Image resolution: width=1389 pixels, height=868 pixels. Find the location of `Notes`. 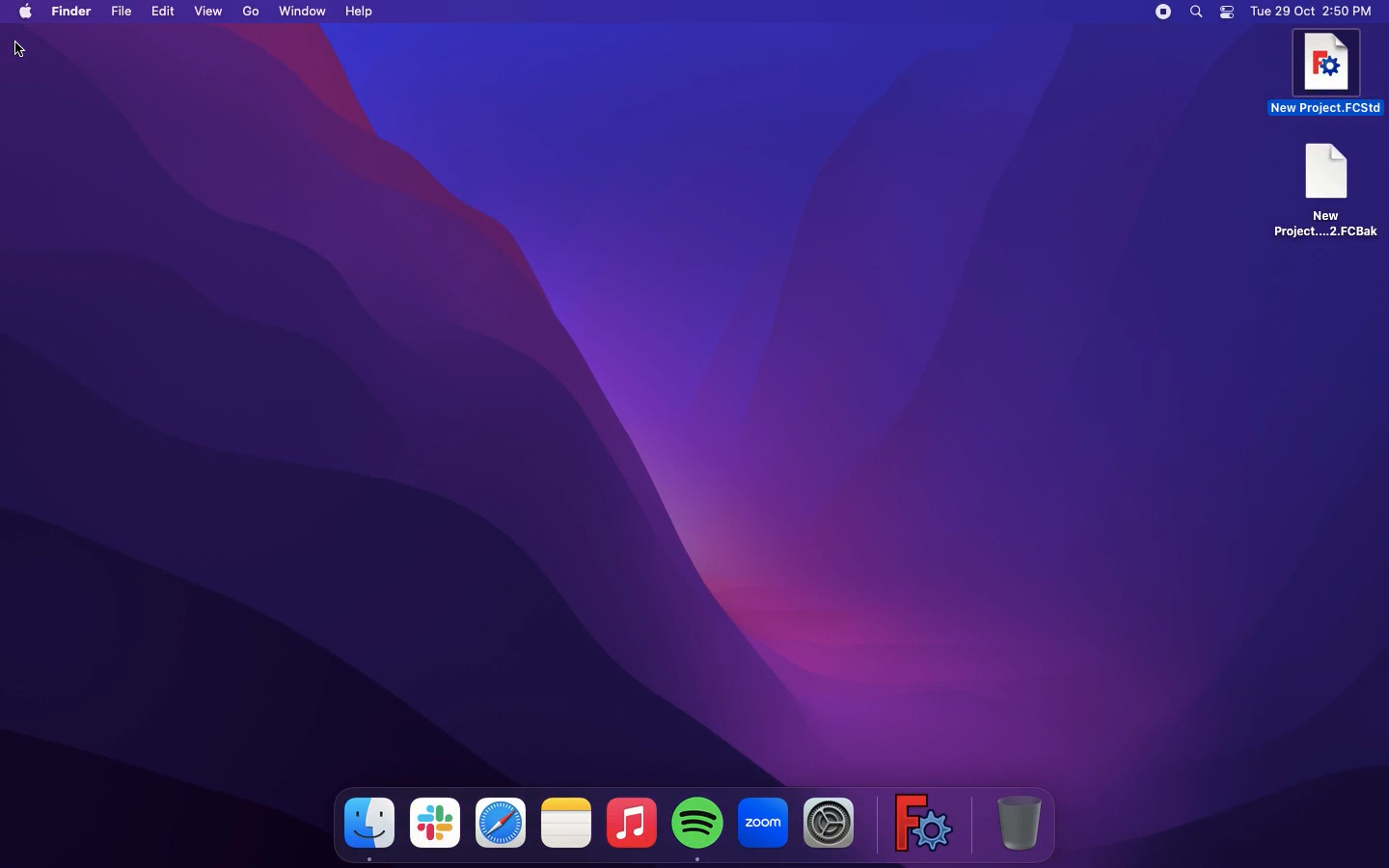

Notes is located at coordinates (567, 821).